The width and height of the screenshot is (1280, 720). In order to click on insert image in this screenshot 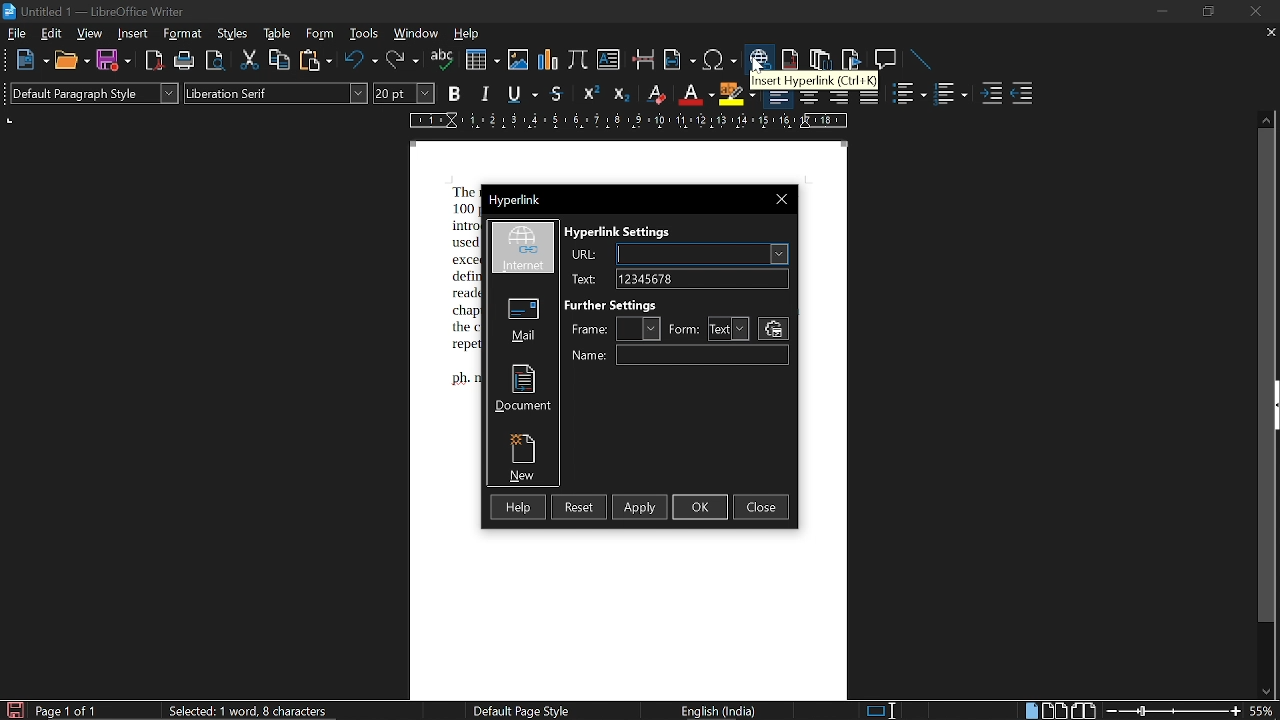, I will do `click(517, 60)`.